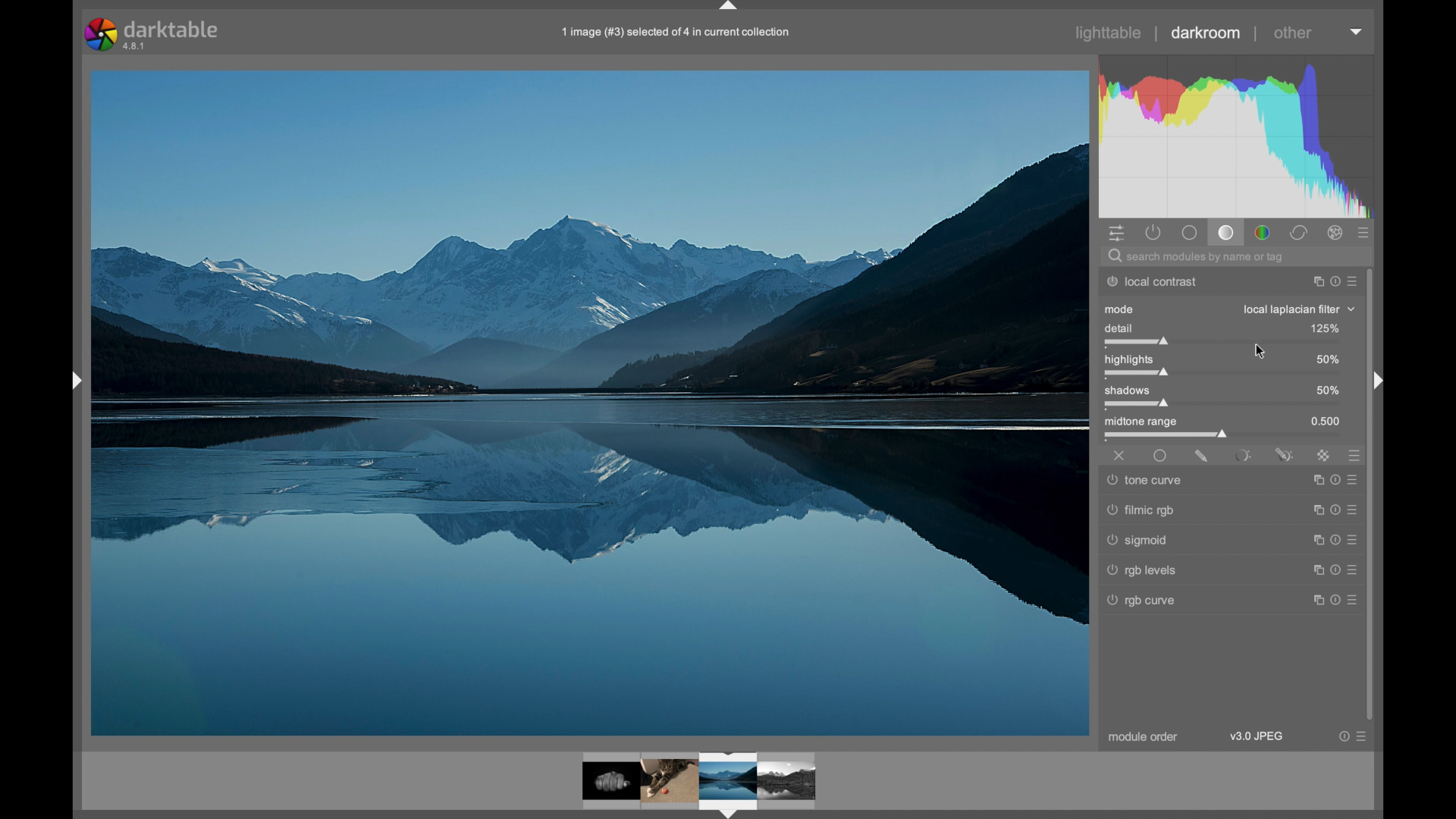  Describe the element at coordinates (1109, 33) in the screenshot. I see `lighttable` at that location.